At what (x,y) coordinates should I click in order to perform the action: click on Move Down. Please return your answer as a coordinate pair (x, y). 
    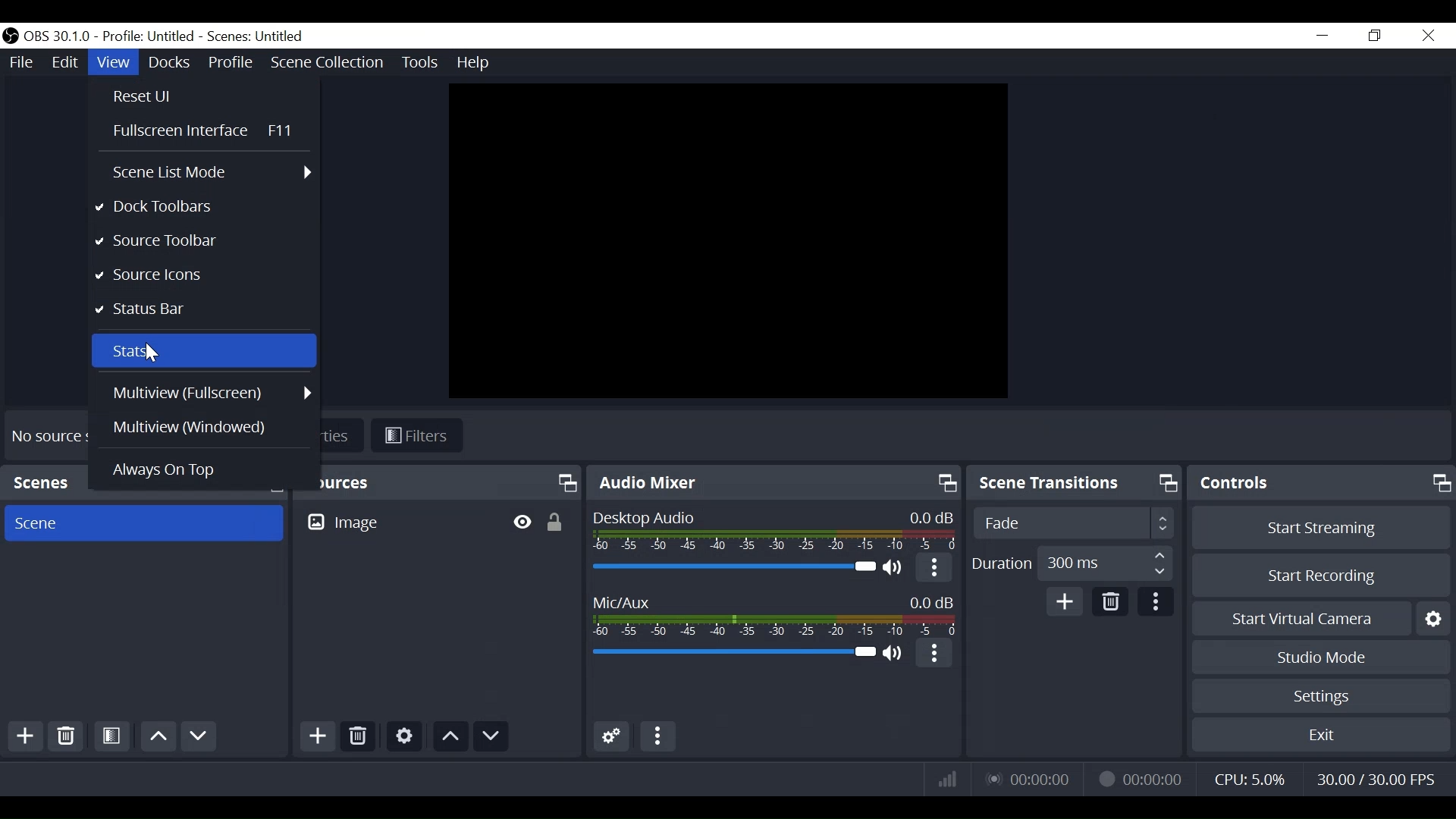
    Looking at the image, I should click on (202, 737).